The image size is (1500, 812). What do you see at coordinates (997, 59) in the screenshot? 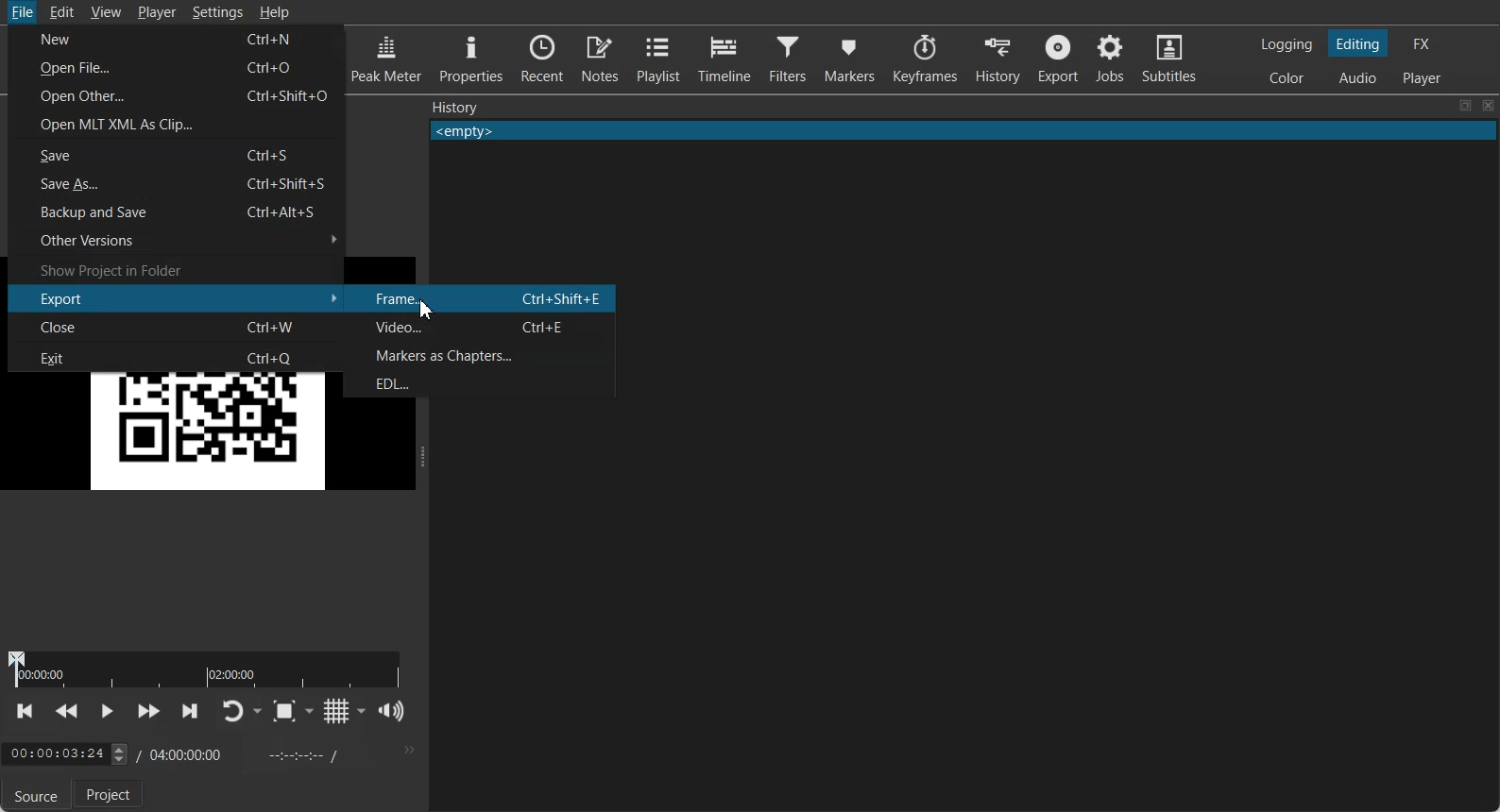
I see `History` at bounding box center [997, 59].